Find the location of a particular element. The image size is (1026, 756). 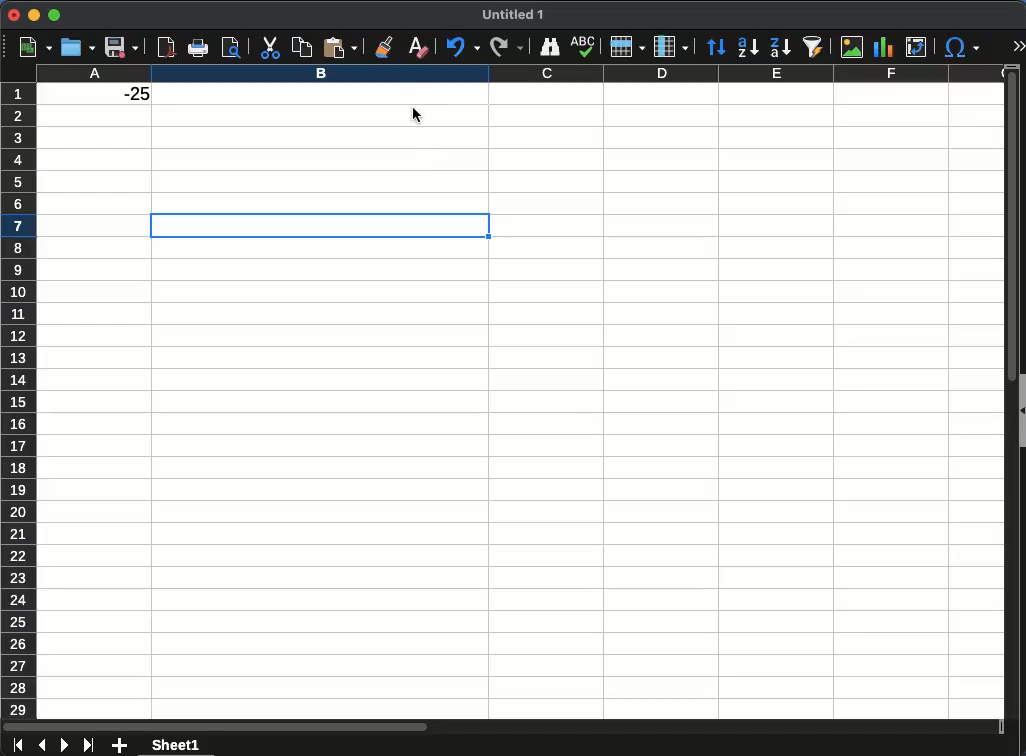

save is located at coordinates (122, 47).